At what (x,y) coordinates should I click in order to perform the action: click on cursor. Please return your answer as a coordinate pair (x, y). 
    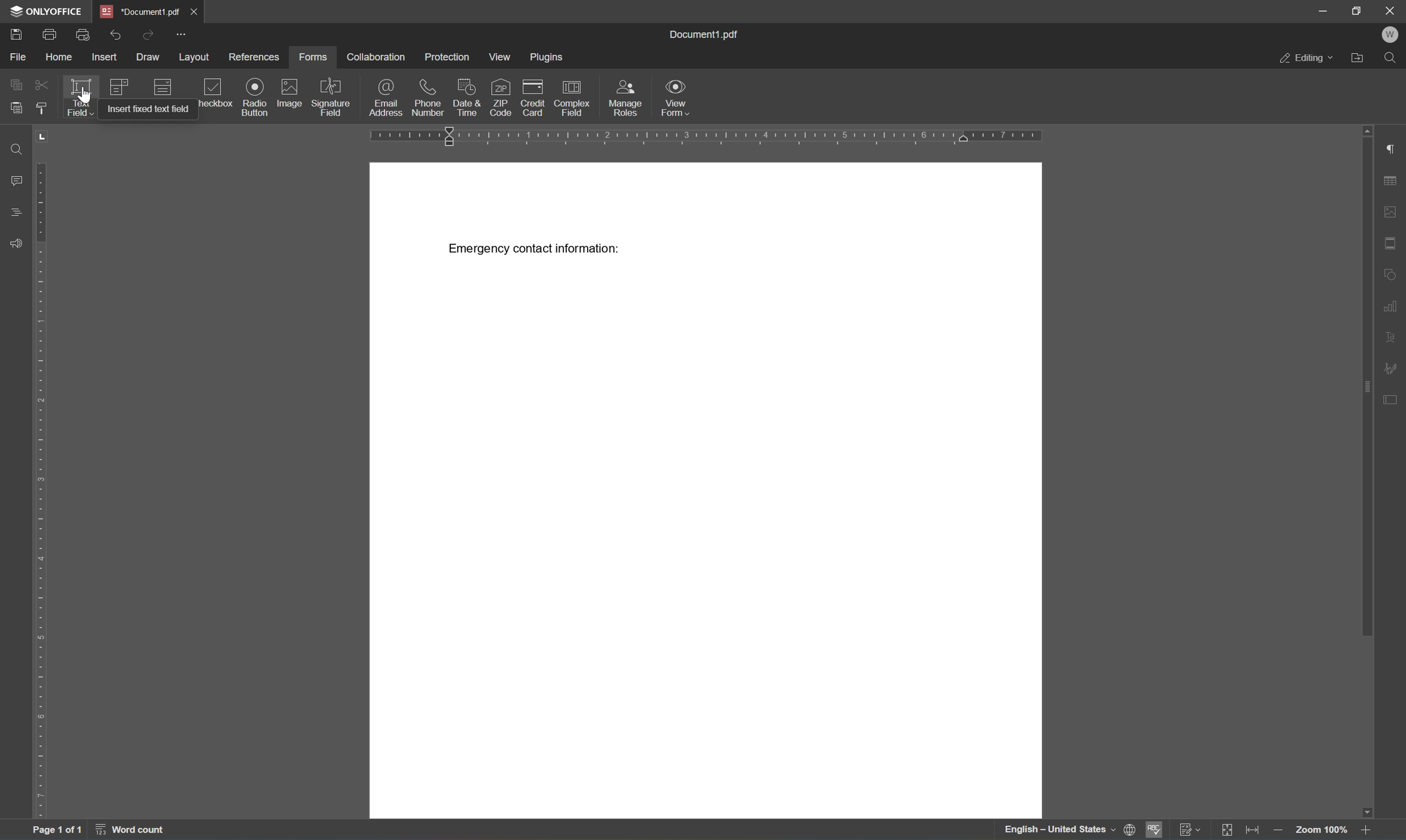
    Looking at the image, I should click on (83, 94).